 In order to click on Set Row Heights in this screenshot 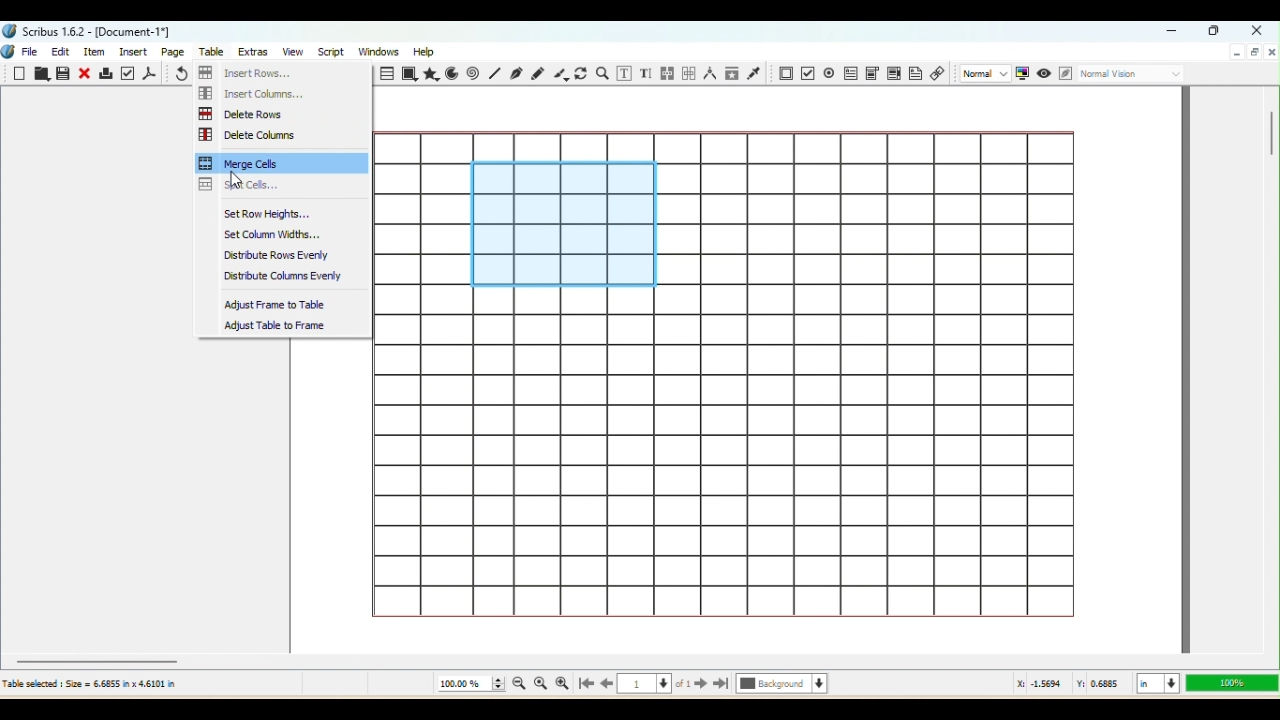, I will do `click(279, 215)`.